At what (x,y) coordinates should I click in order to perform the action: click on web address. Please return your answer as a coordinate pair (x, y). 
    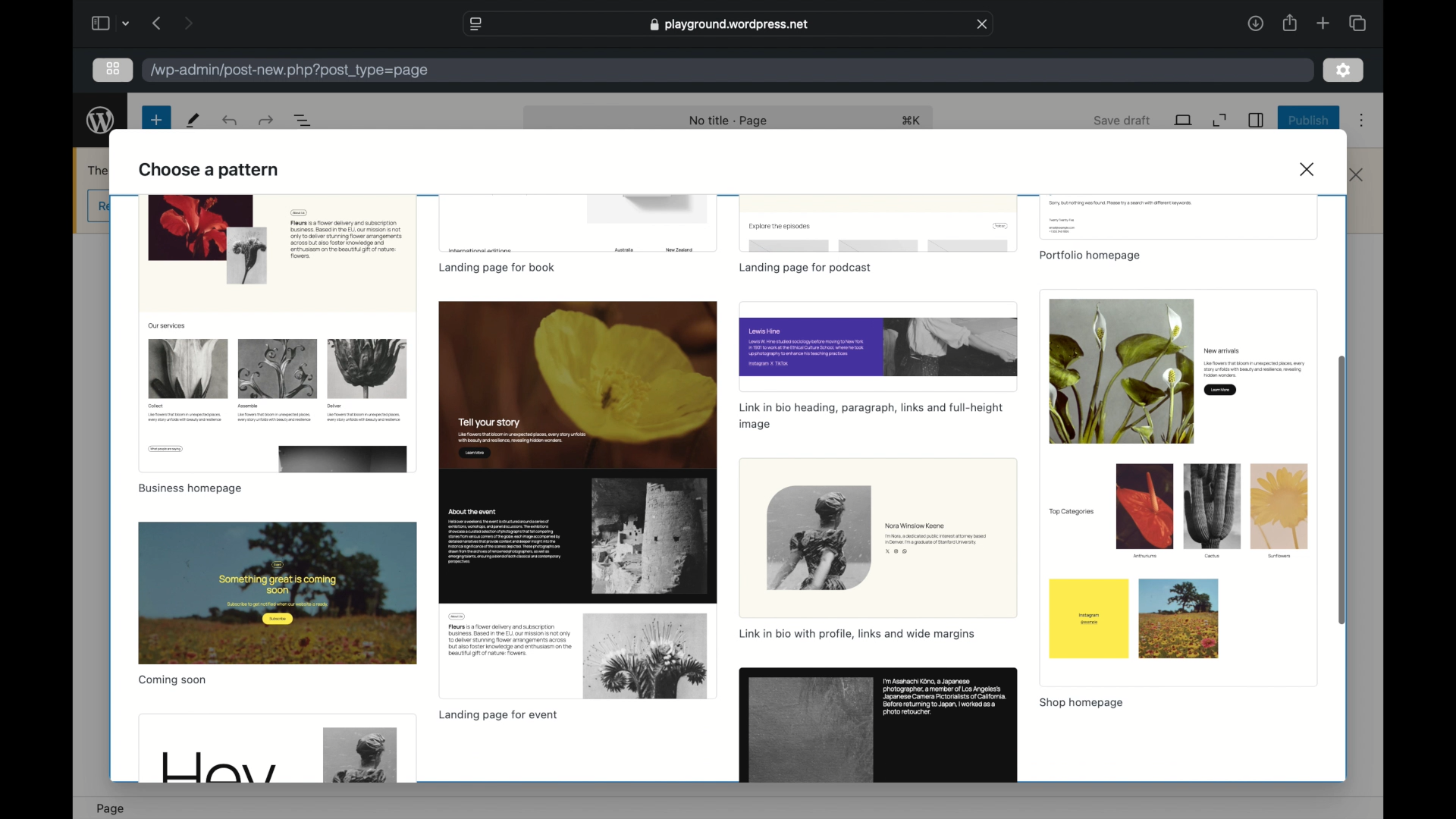
    Looking at the image, I should click on (730, 24).